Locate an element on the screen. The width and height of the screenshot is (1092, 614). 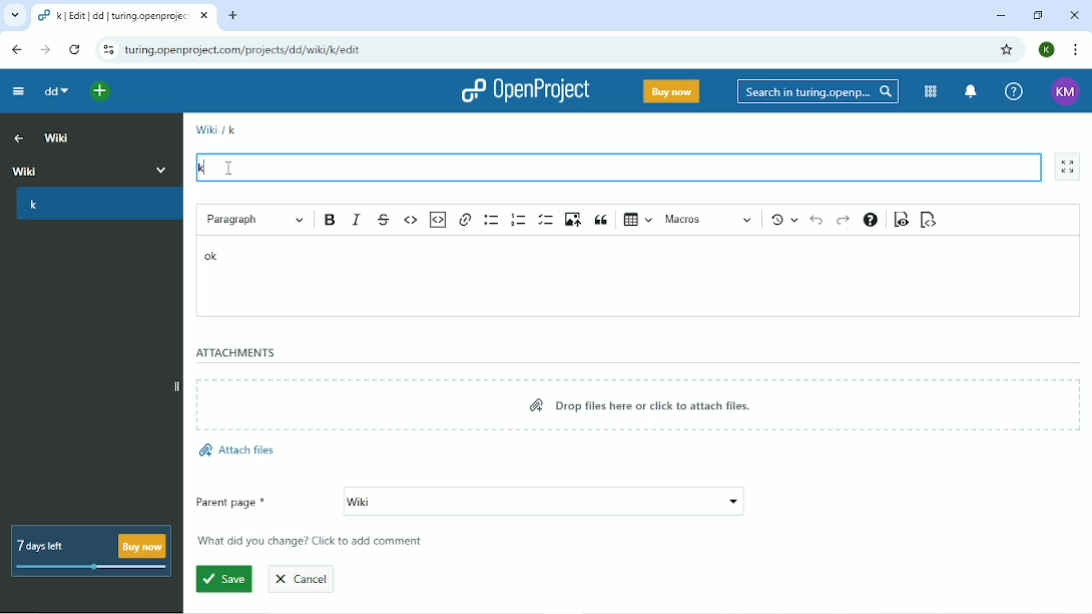
Bold is located at coordinates (330, 221).